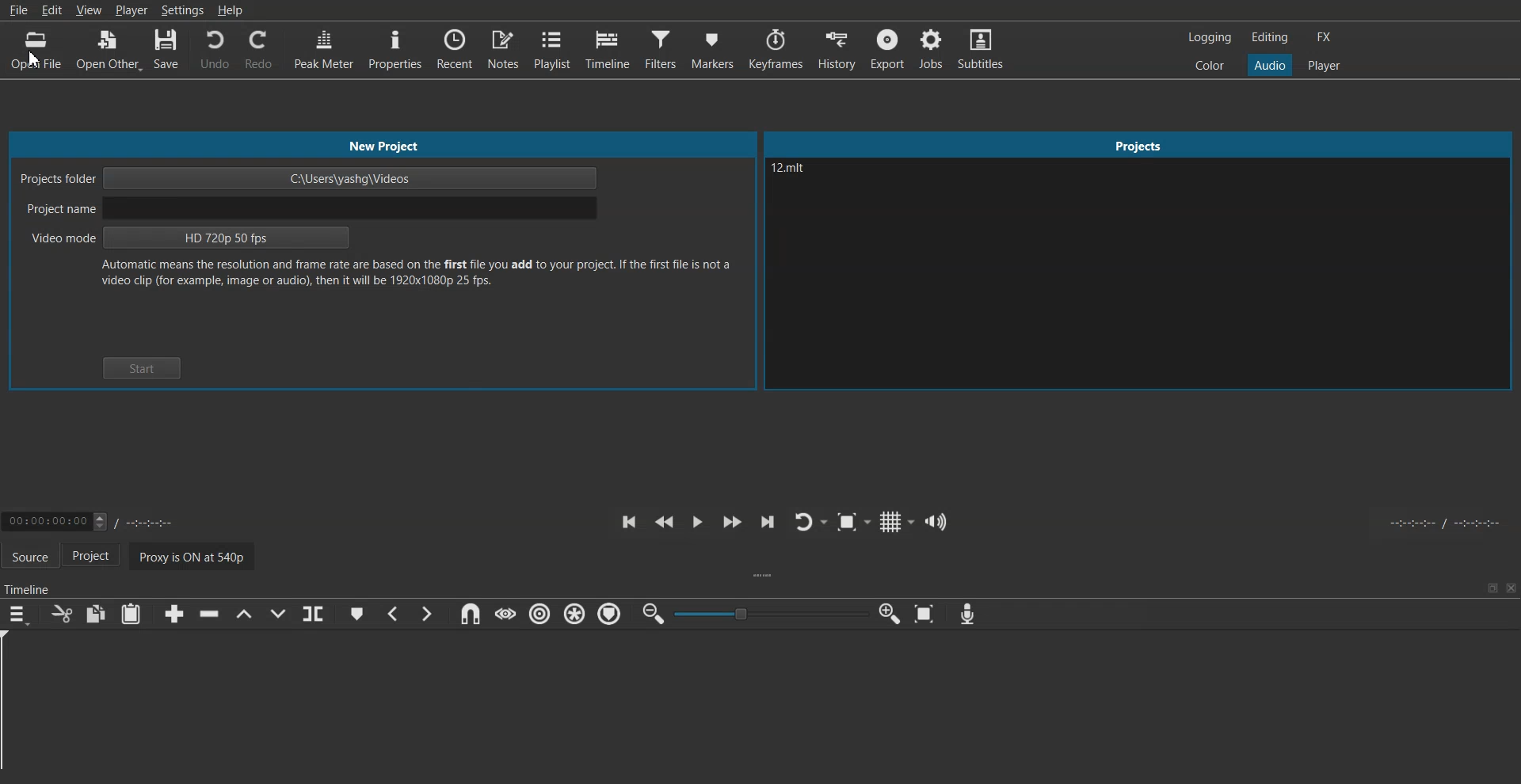 Image resolution: width=1521 pixels, height=784 pixels. What do you see at coordinates (205, 615) in the screenshot?
I see `Ripple Delete` at bounding box center [205, 615].